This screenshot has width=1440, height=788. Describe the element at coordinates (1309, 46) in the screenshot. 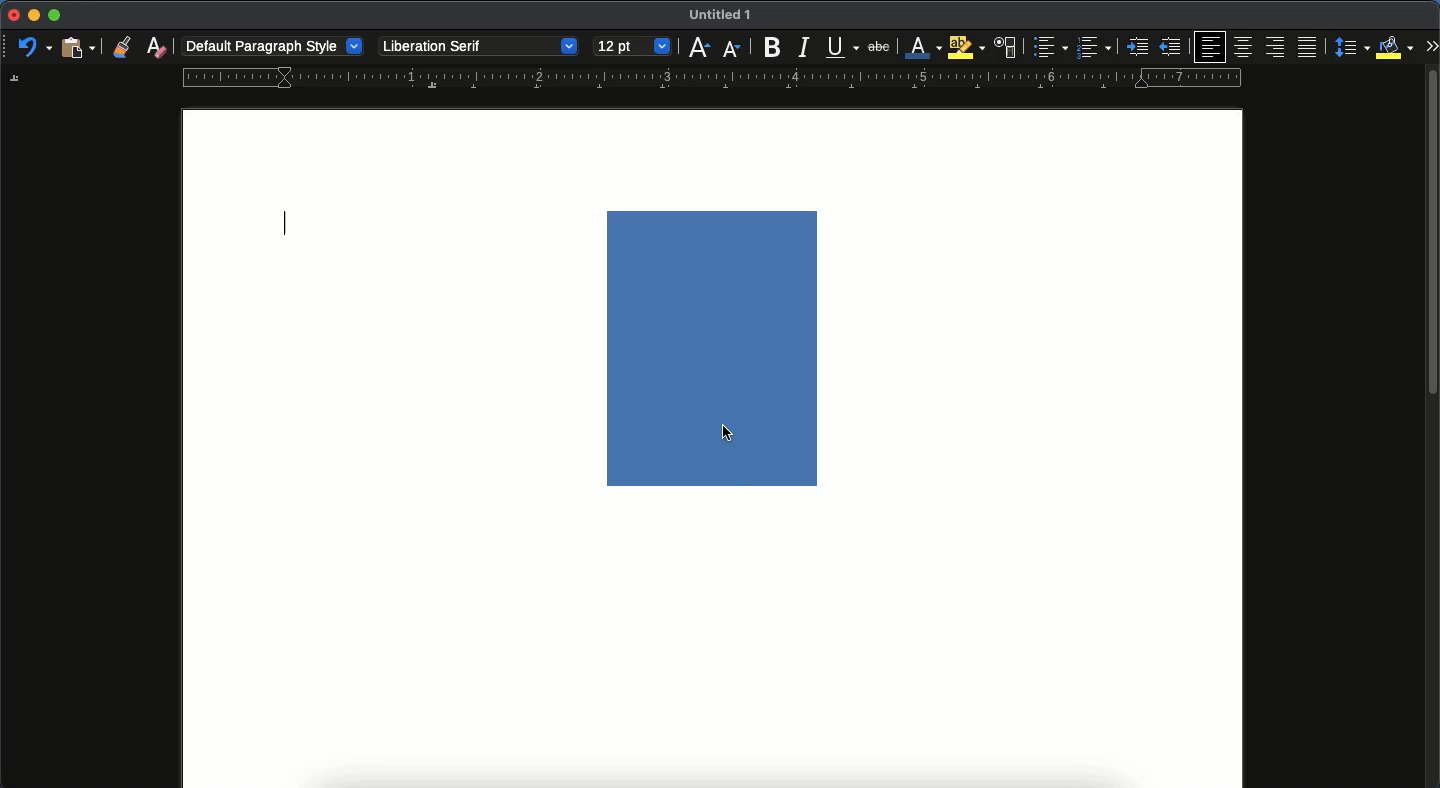

I see `justification ` at that location.